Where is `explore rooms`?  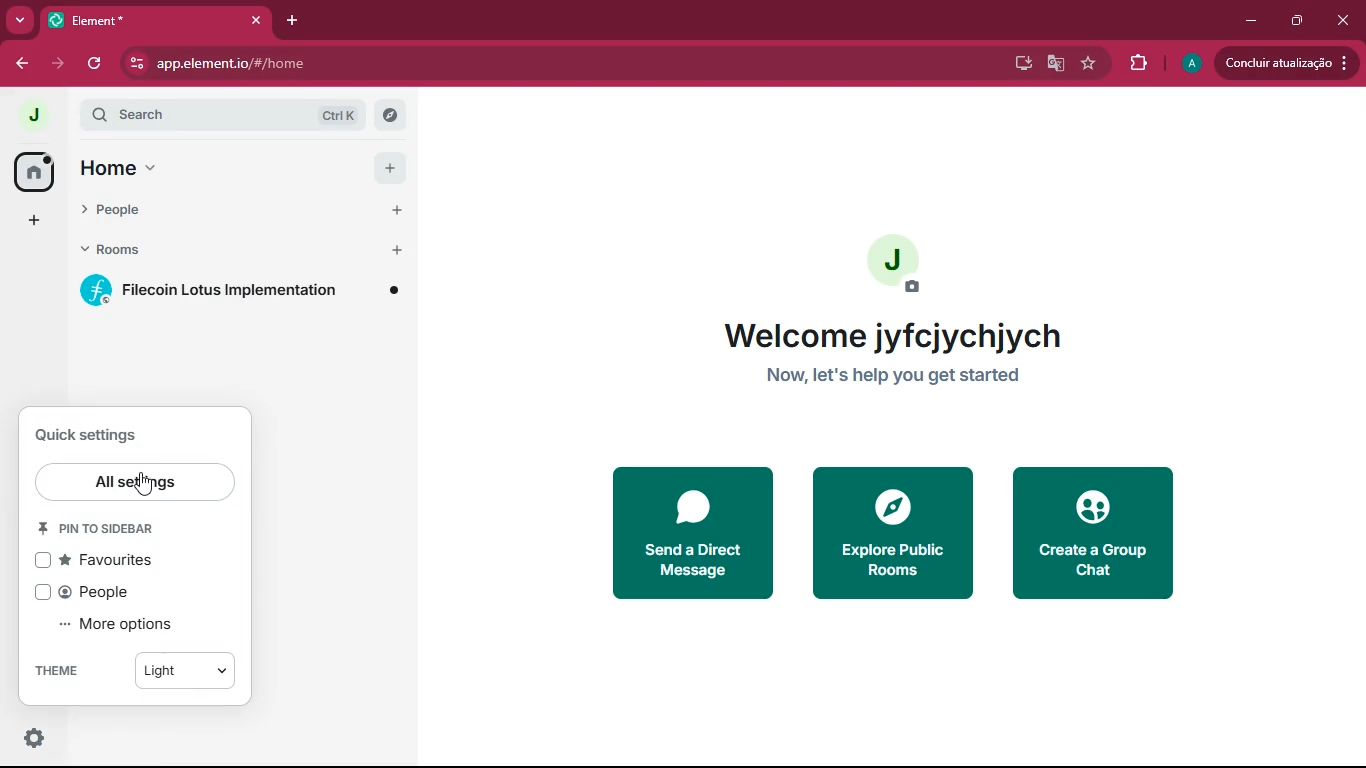
explore rooms is located at coordinates (391, 115).